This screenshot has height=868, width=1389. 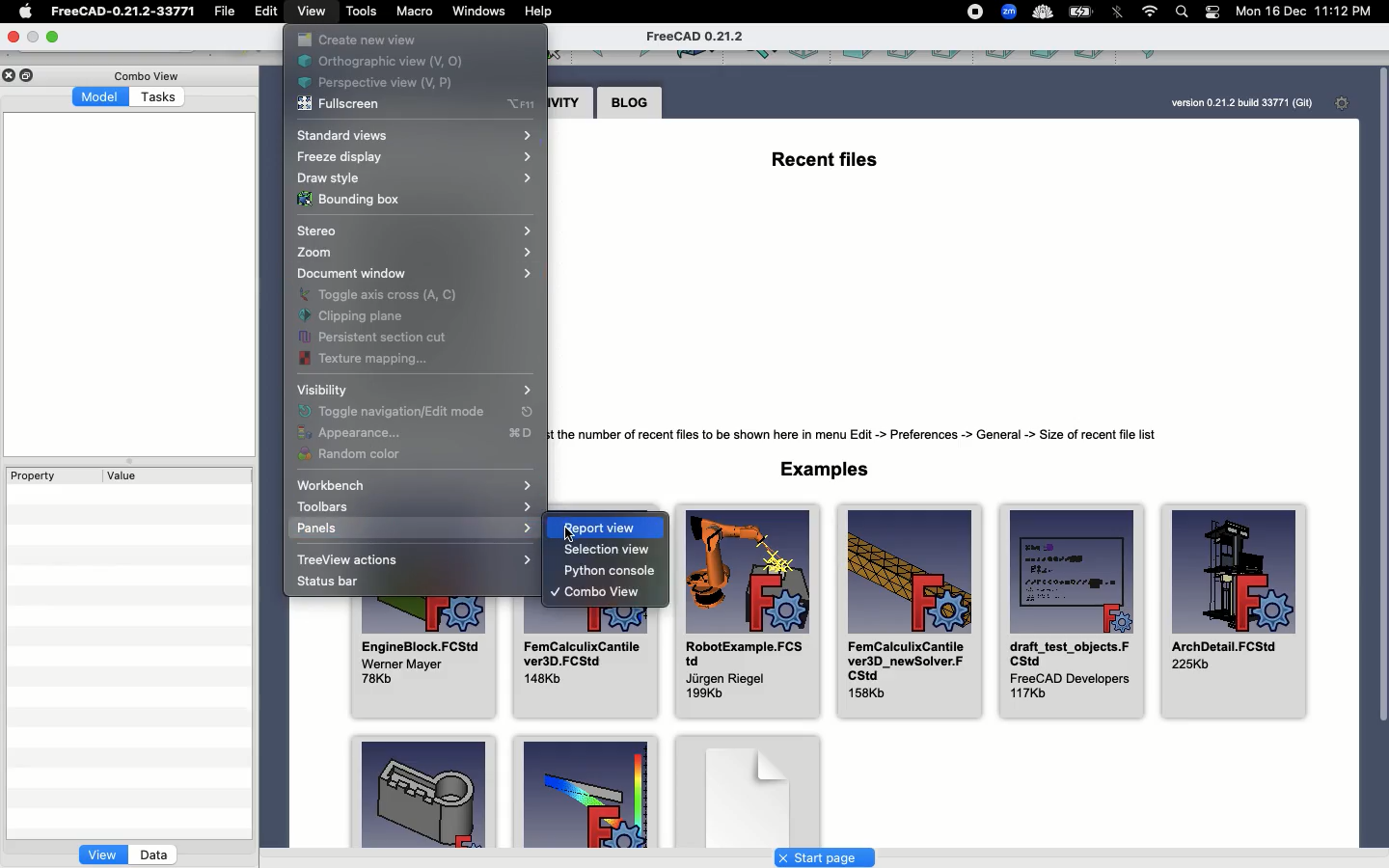 What do you see at coordinates (229, 12) in the screenshot?
I see `File` at bounding box center [229, 12].